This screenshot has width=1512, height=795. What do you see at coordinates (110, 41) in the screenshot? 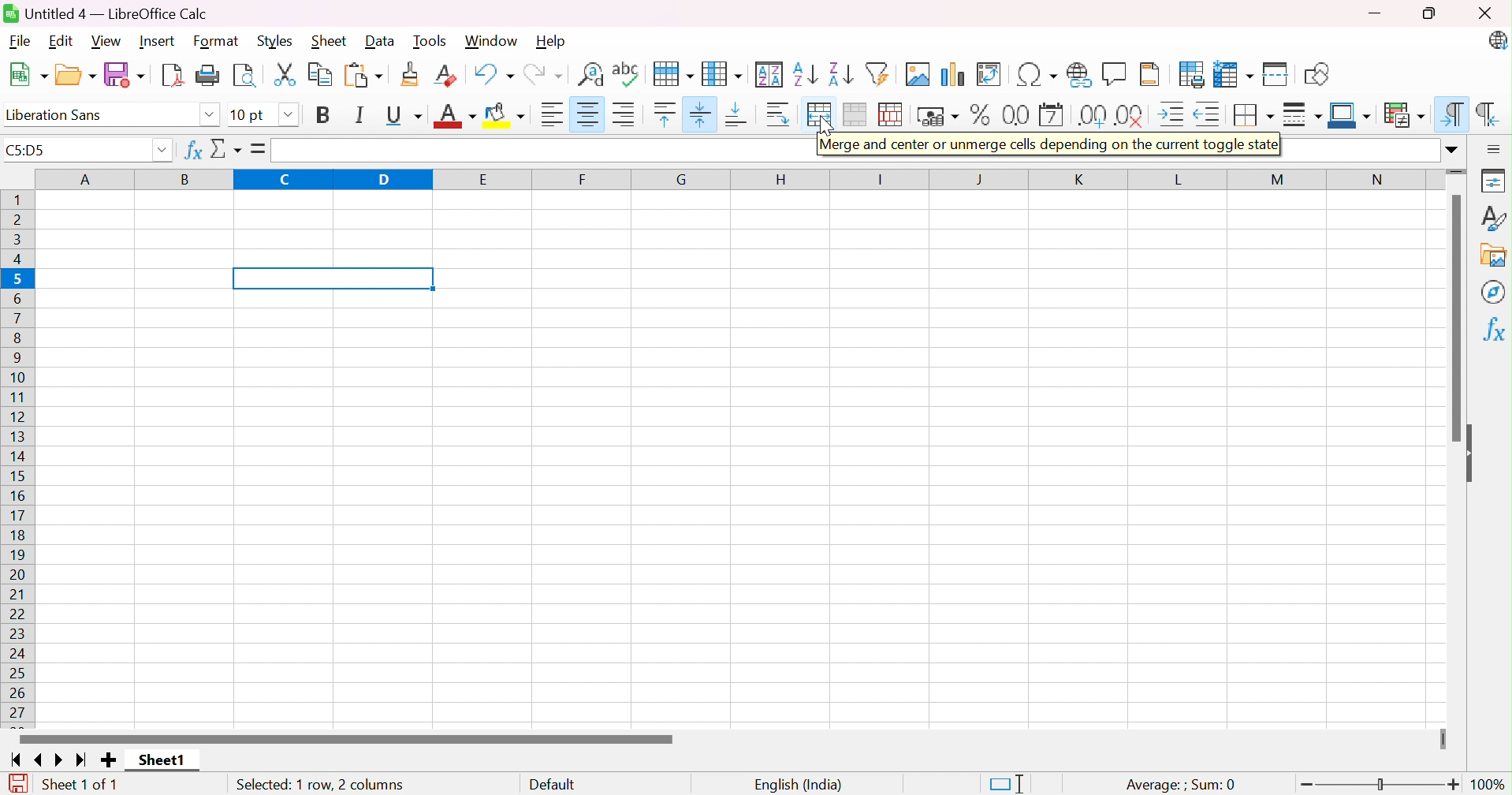
I see `View` at bounding box center [110, 41].